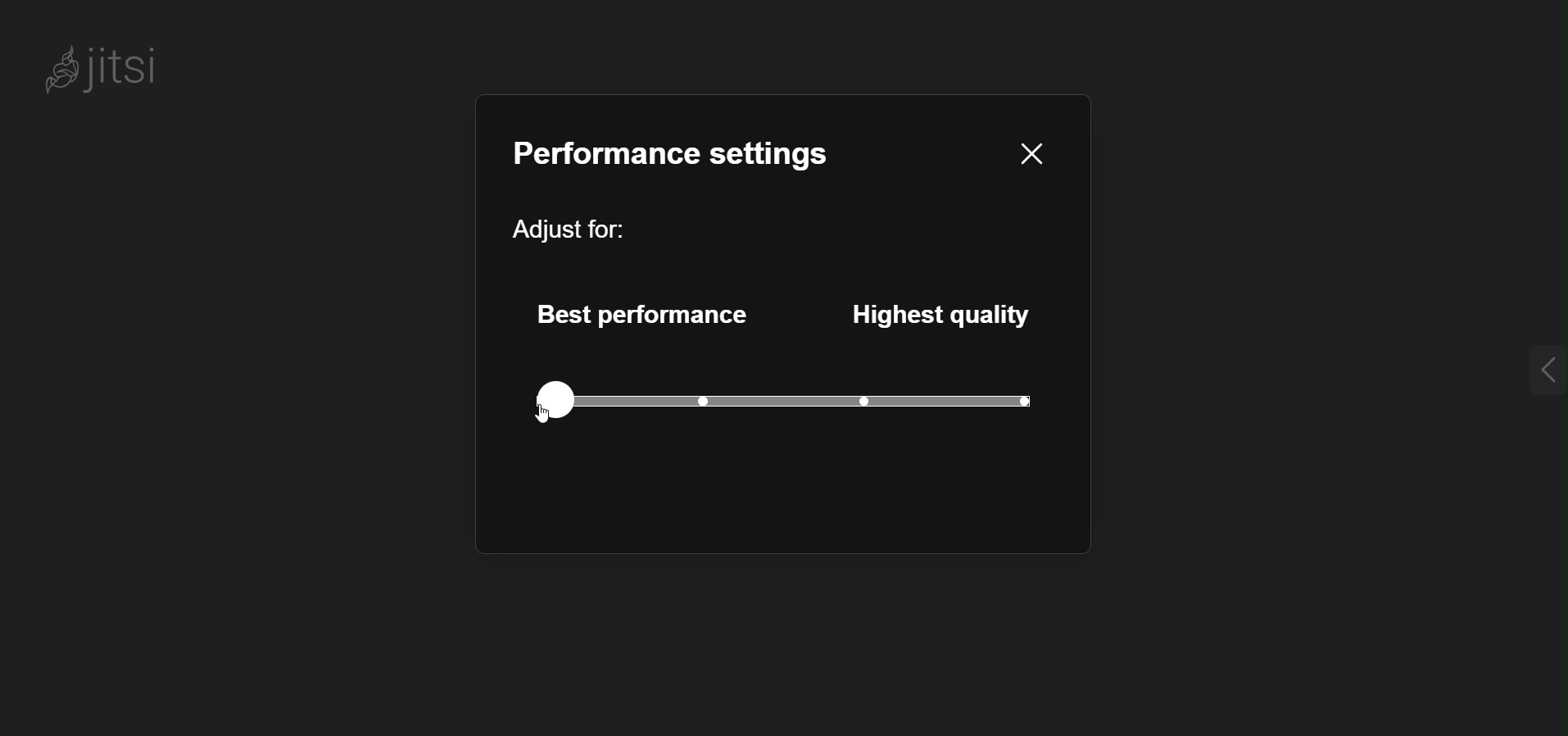 This screenshot has width=1568, height=736. What do you see at coordinates (1517, 370) in the screenshot?
I see `expand` at bounding box center [1517, 370].